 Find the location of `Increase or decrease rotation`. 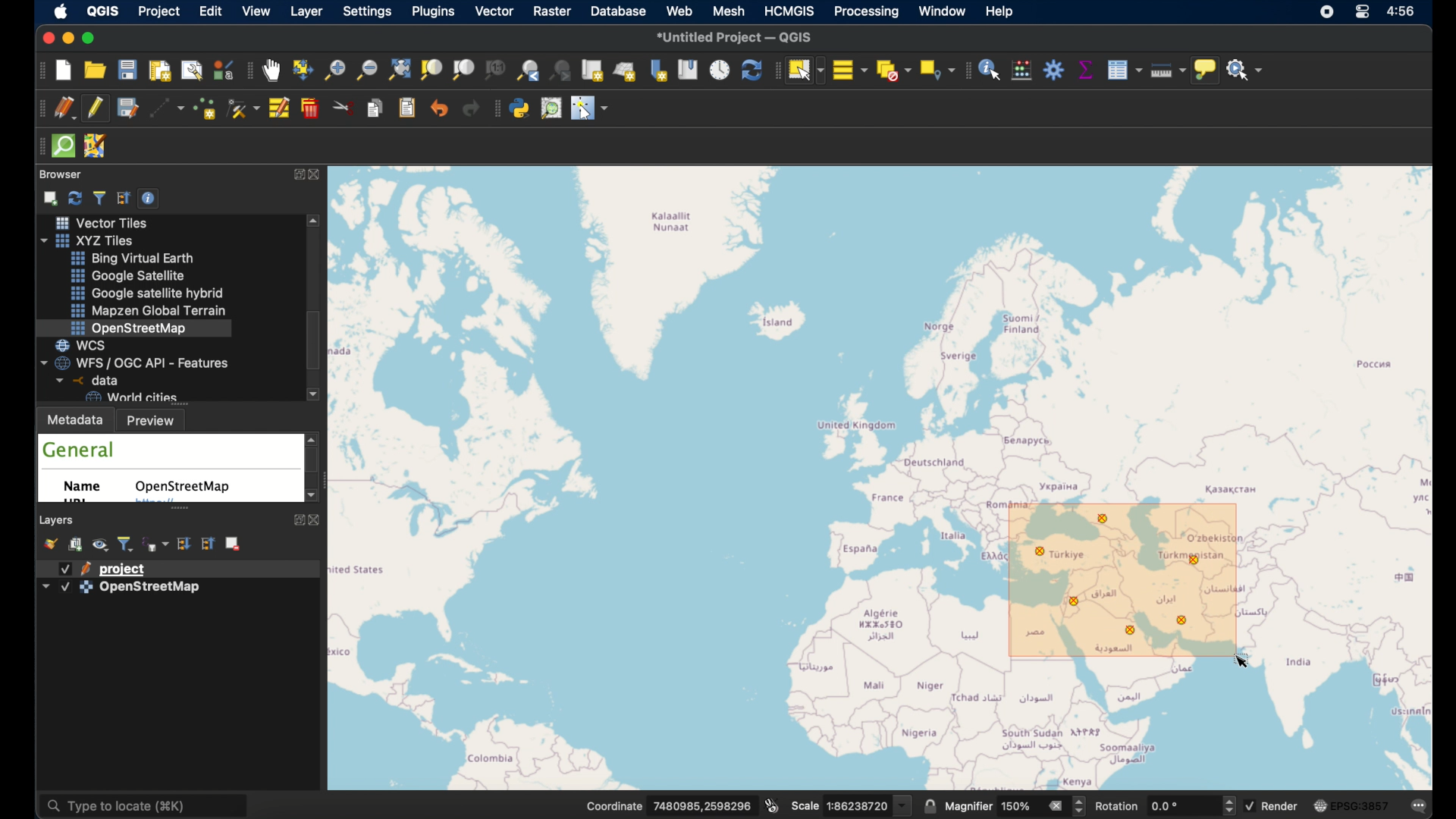

Increase or decrease rotation is located at coordinates (1228, 805).